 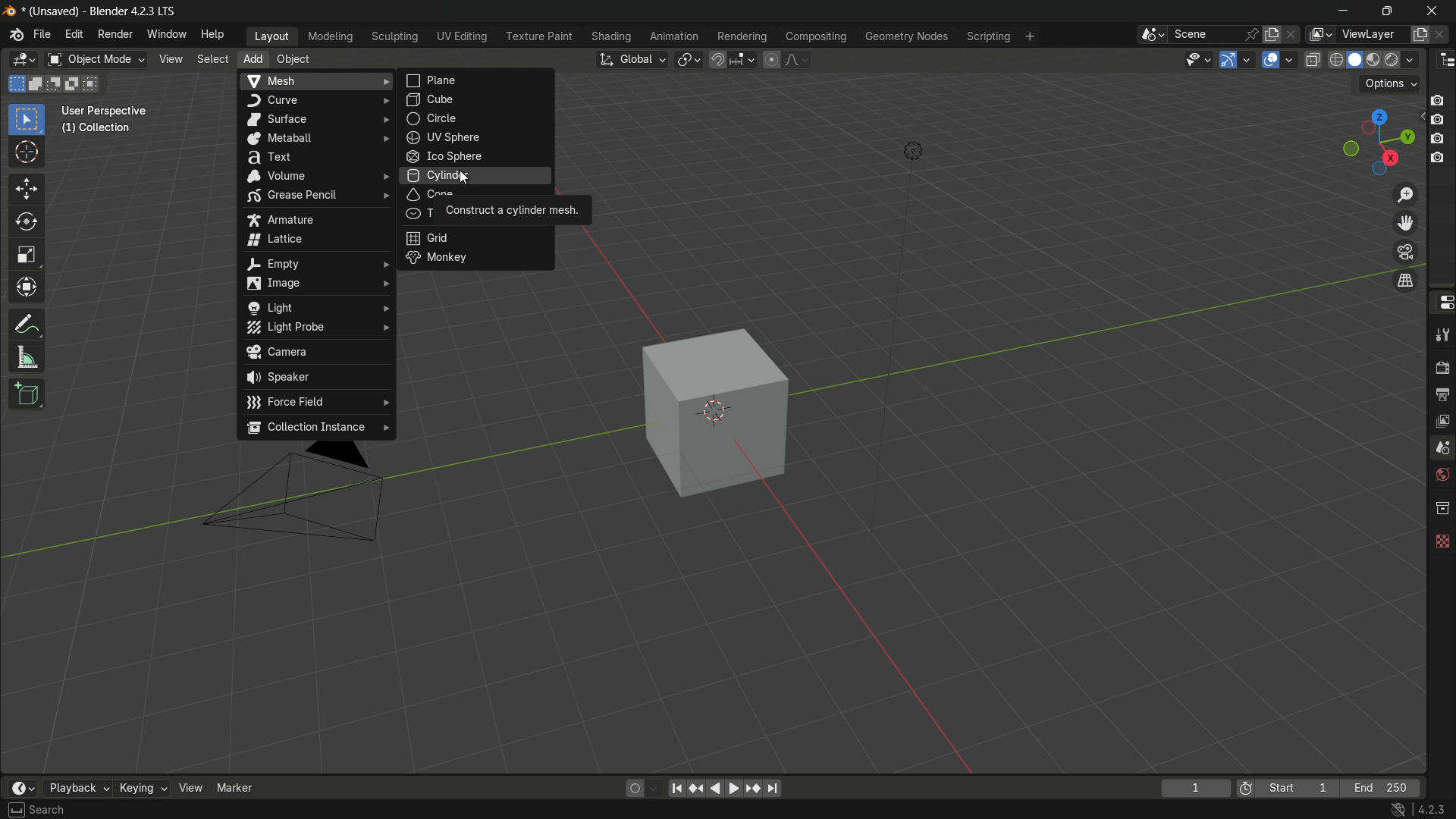 I want to click on view, so click(x=188, y=787).